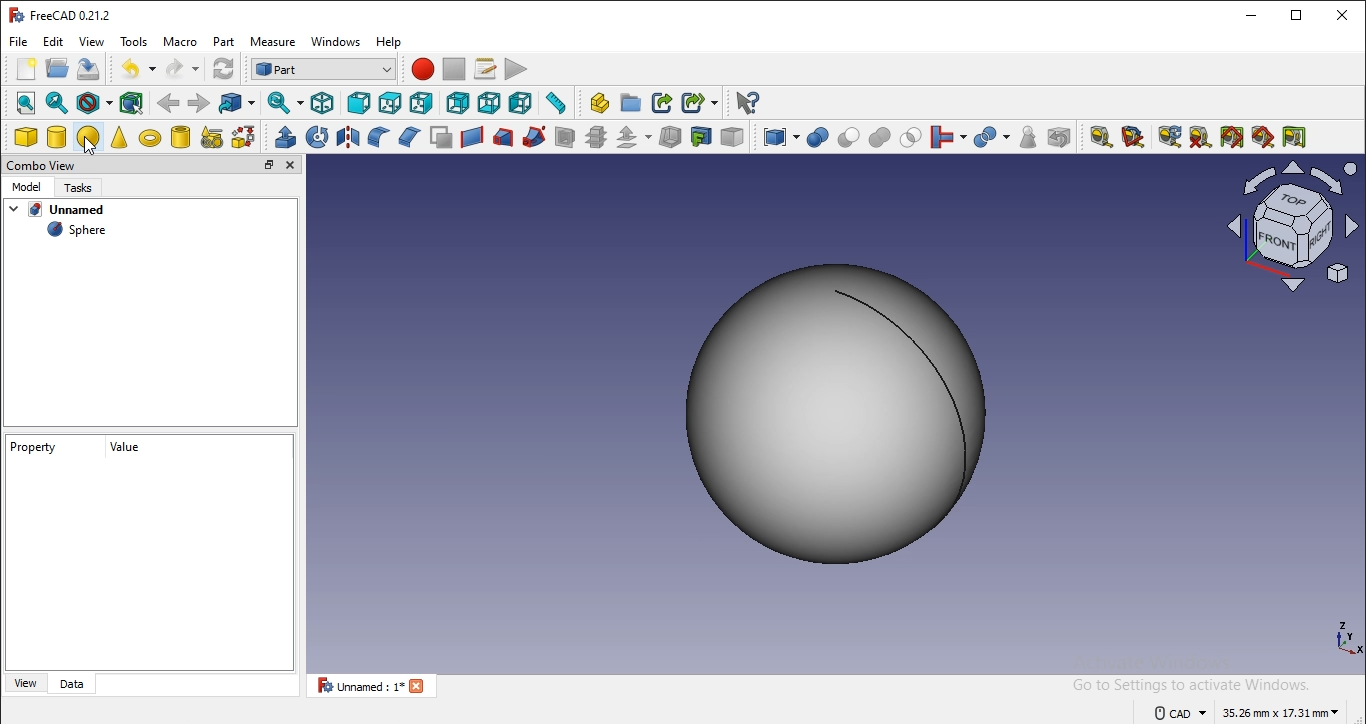 This screenshot has height=724, width=1366. I want to click on refresh, so click(223, 68).